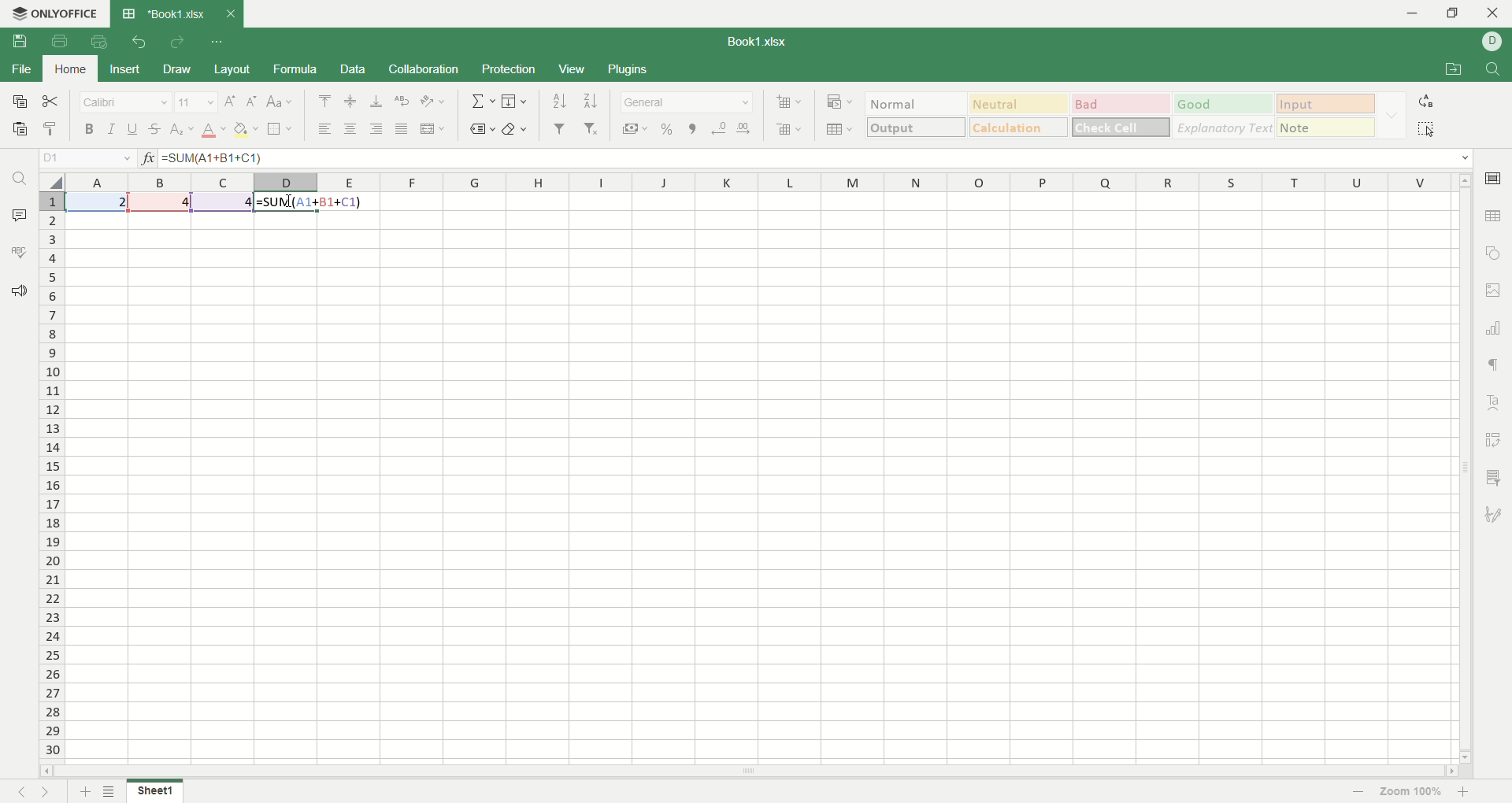 The width and height of the screenshot is (1512, 803). Describe the element at coordinates (434, 128) in the screenshot. I see `merge and center` at that location.